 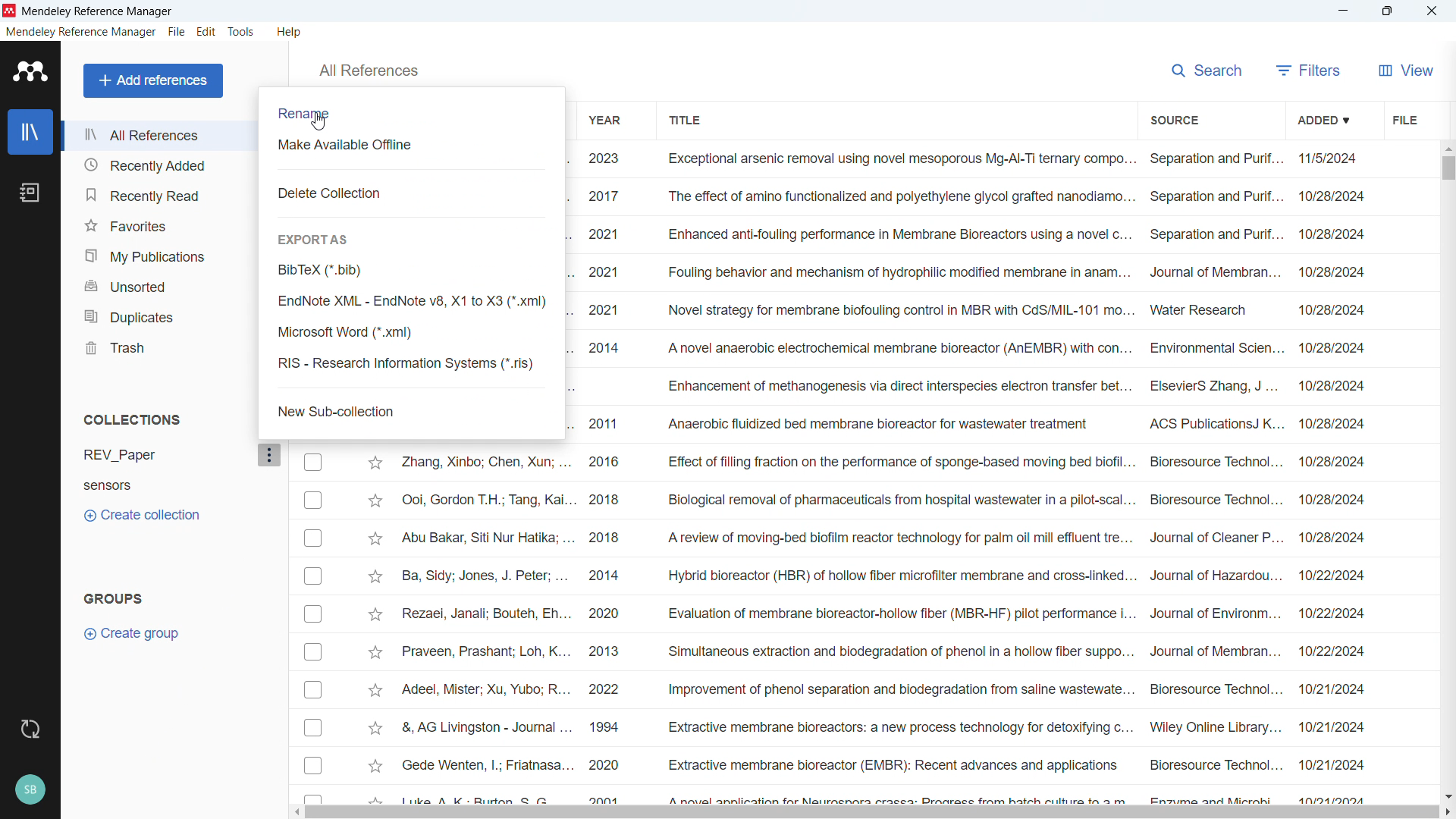 I want to click on Scroll up , so click(x=1447, y=147).